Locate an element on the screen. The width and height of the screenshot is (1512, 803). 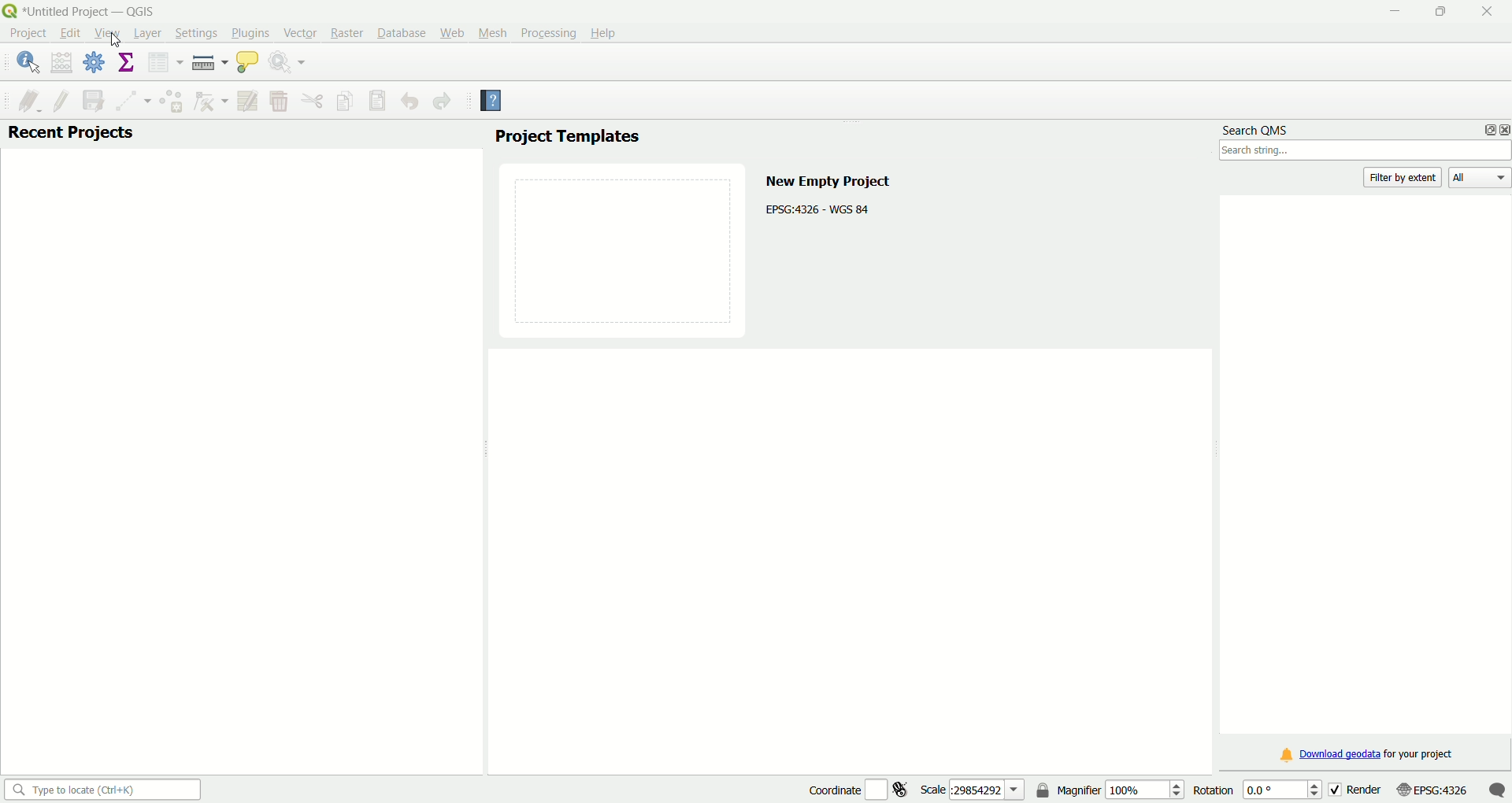
open field calculator is located at coordinates (62, 62).